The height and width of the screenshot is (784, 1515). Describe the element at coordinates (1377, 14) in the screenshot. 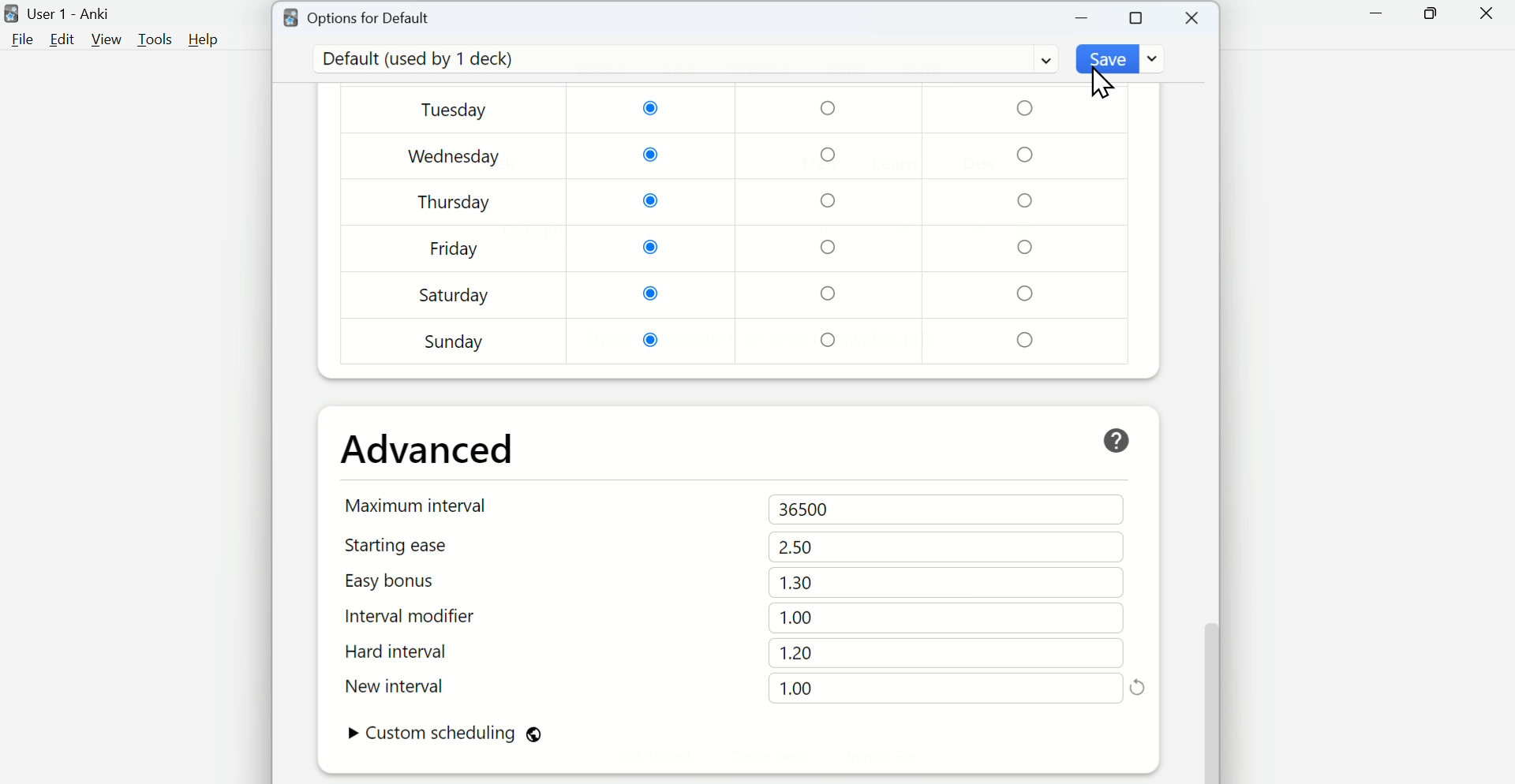

I see `Minimize` at that location.